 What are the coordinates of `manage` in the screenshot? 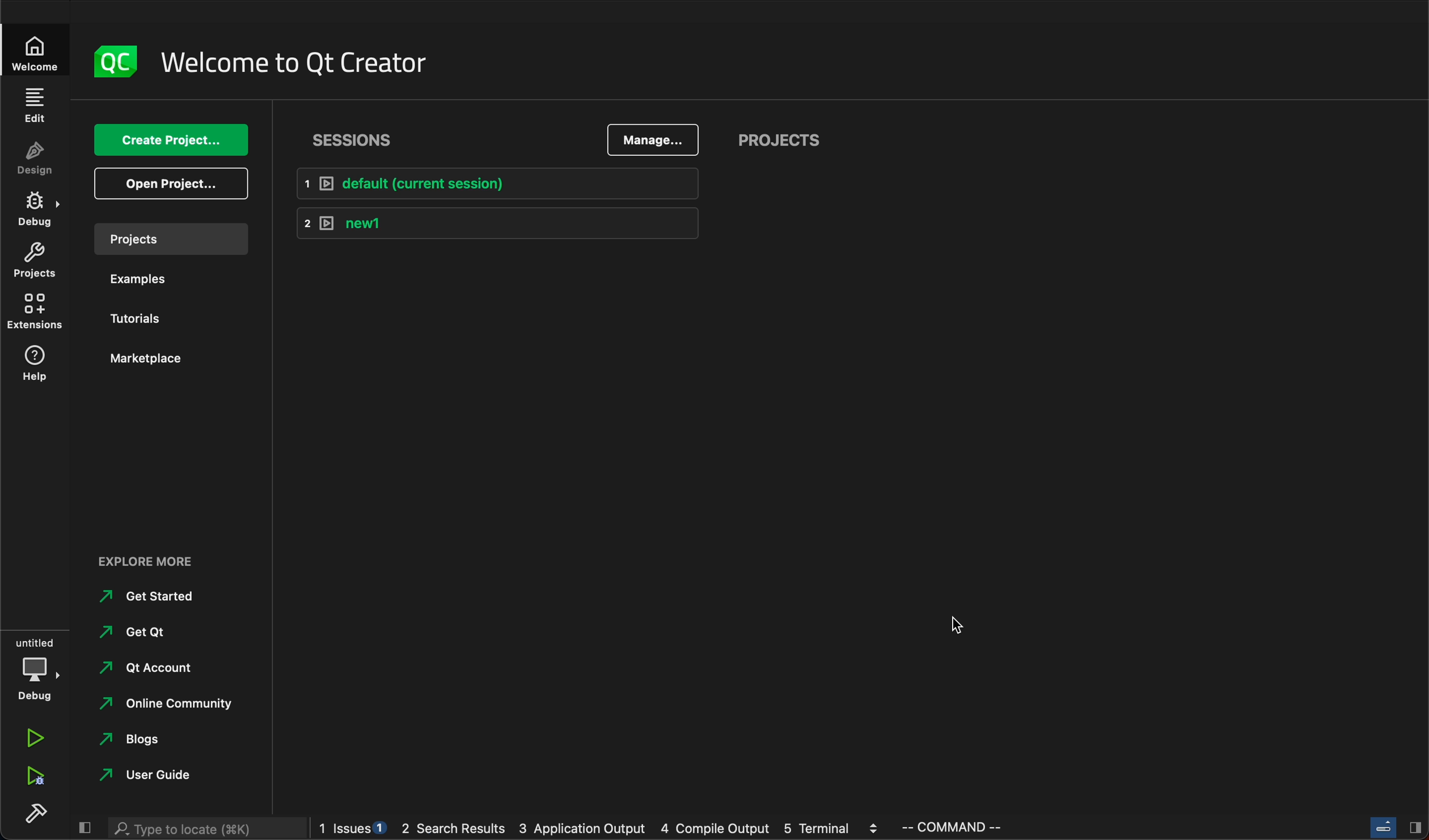 It's located at (654, 141).